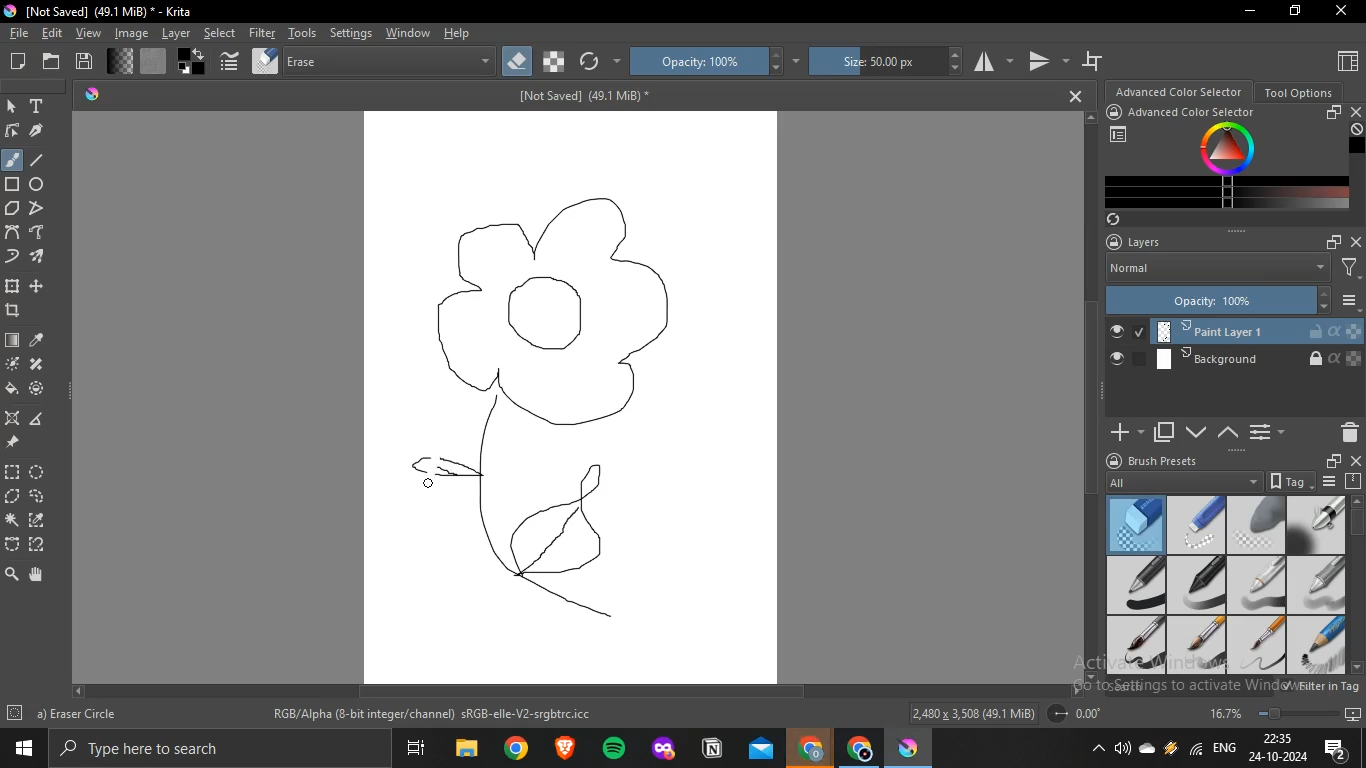 The width and height of the screenshot is (1366, 768). What do you see at coordinates (1357, 574) in the screenshot?
I see `Scrollbar` at bounding box center [1357, 574].